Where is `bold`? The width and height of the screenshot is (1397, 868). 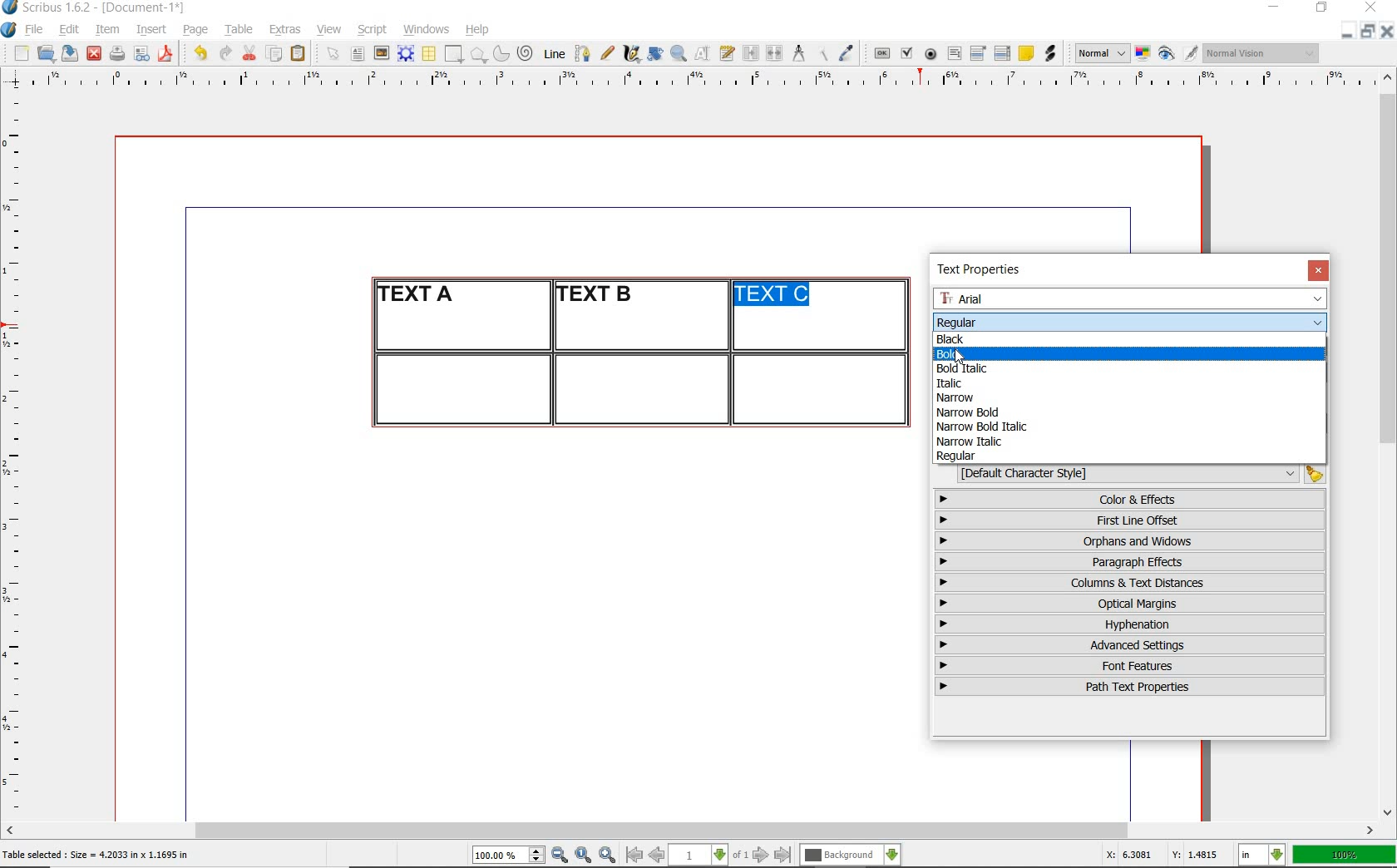 bold is located at coordinates (972, 353).